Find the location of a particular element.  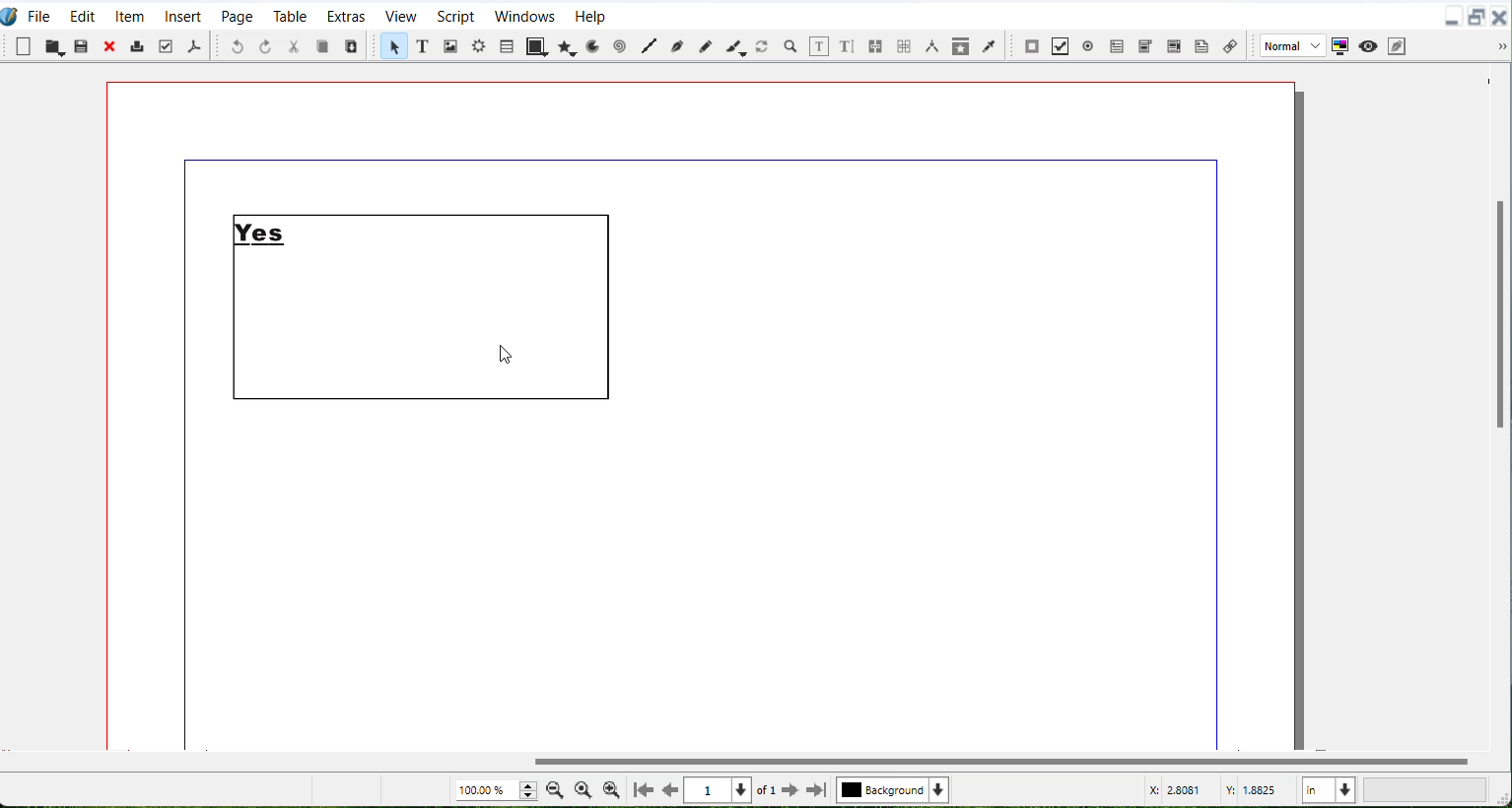

Copy is located at coordinates (323, 45).